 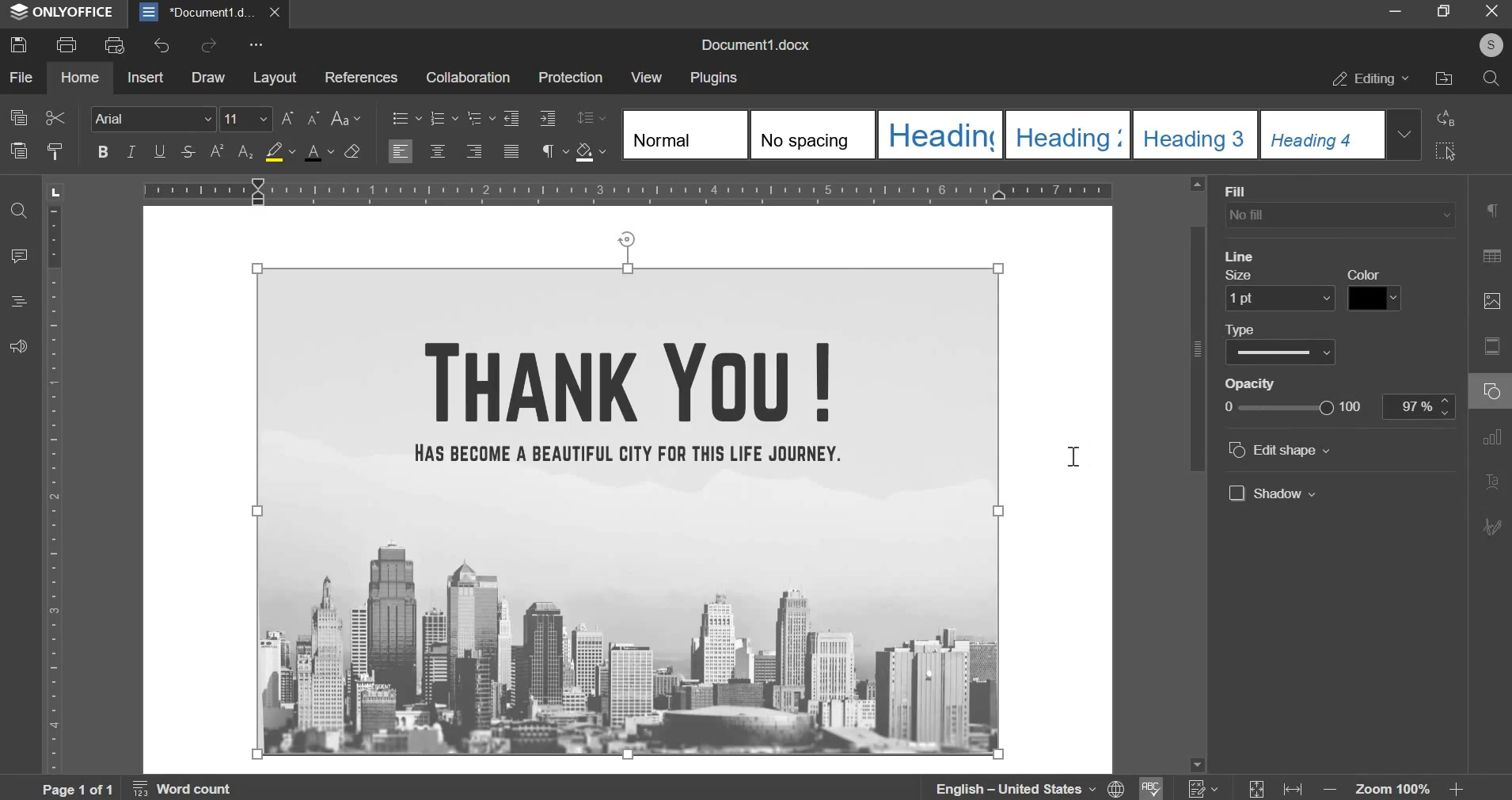 What do you see at coordinates (1489, 46) in the screenshot?
I see `S` at bounding box center [1489, 46].